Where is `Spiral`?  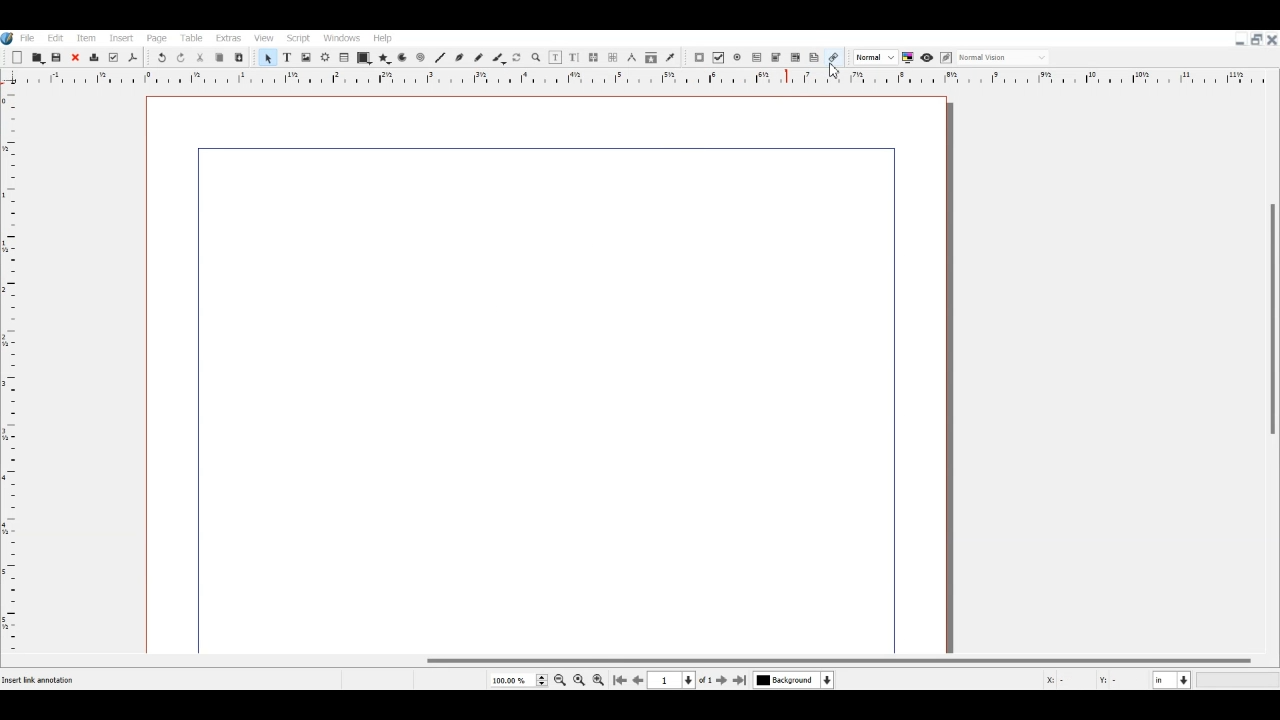
Spiral is located at coordinates (420, 58).